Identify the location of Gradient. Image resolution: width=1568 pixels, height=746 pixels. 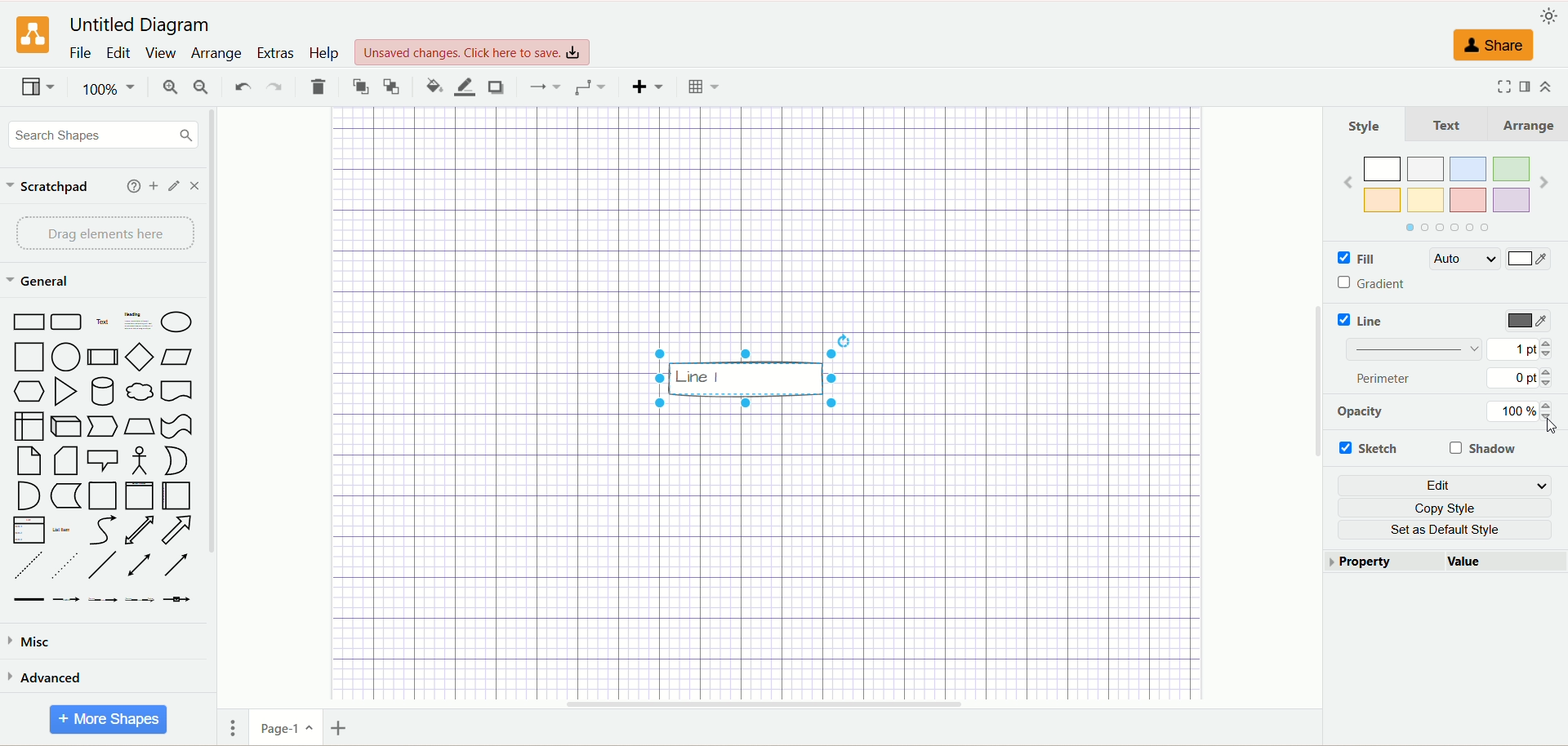
(1383, 281).